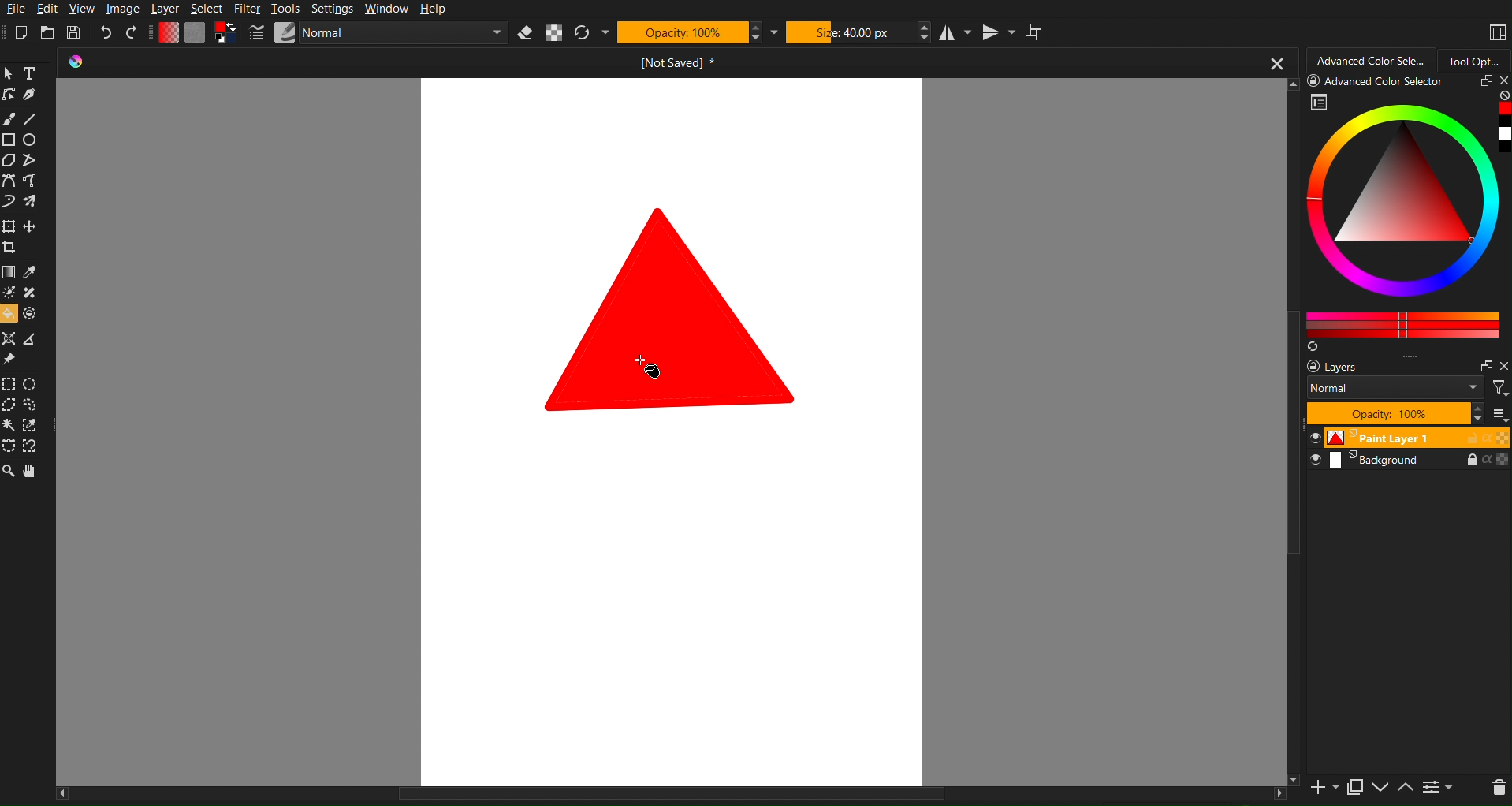 The height and width of the screenshot is (806, 1512). What do you see at coordinates (682, 32) in the screenshot?
I see `Opacity: 100%` at bounding box center [682, 32].